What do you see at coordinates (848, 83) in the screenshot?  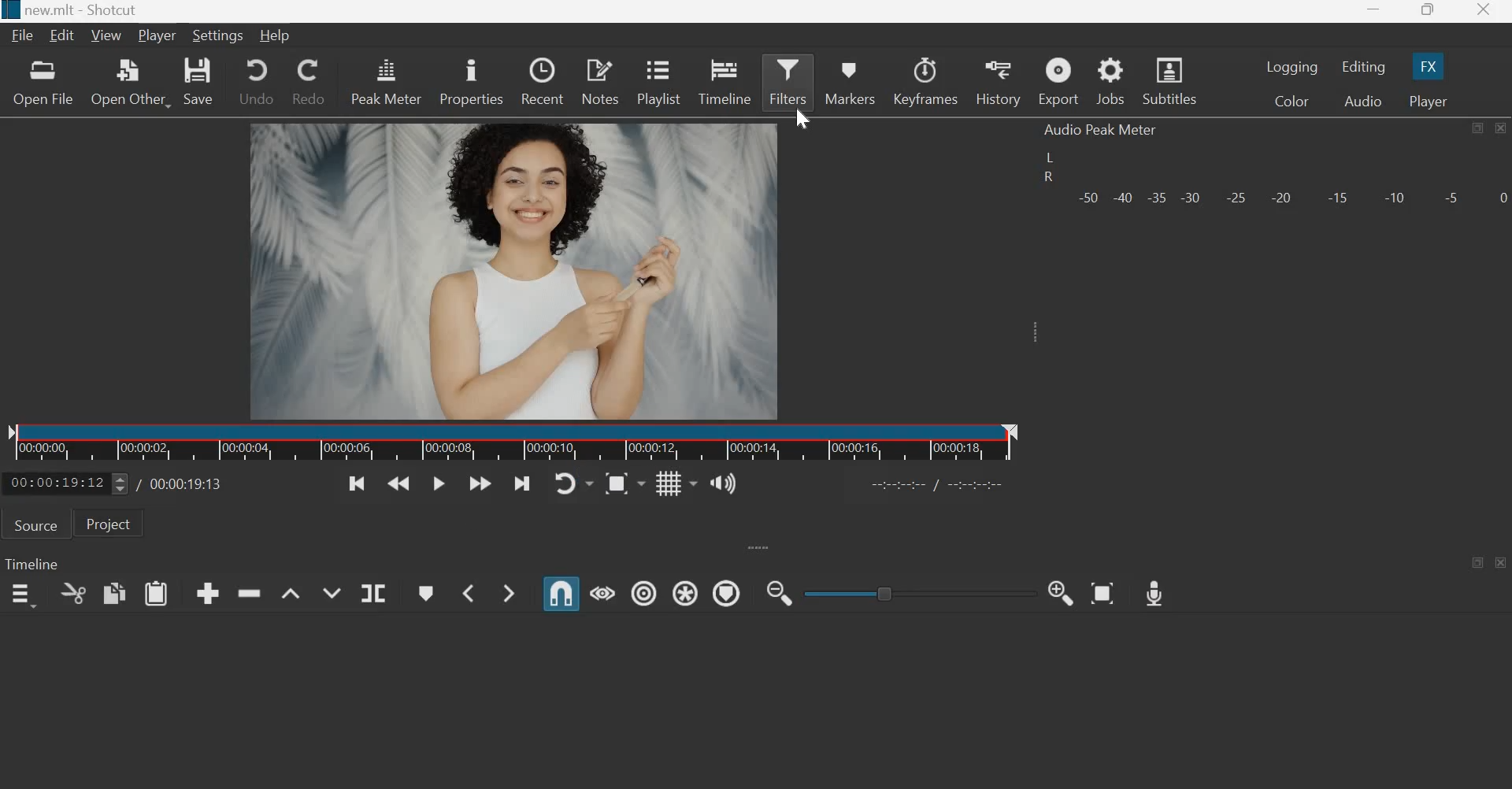 I see `markers` at bounding box center [848, 83].